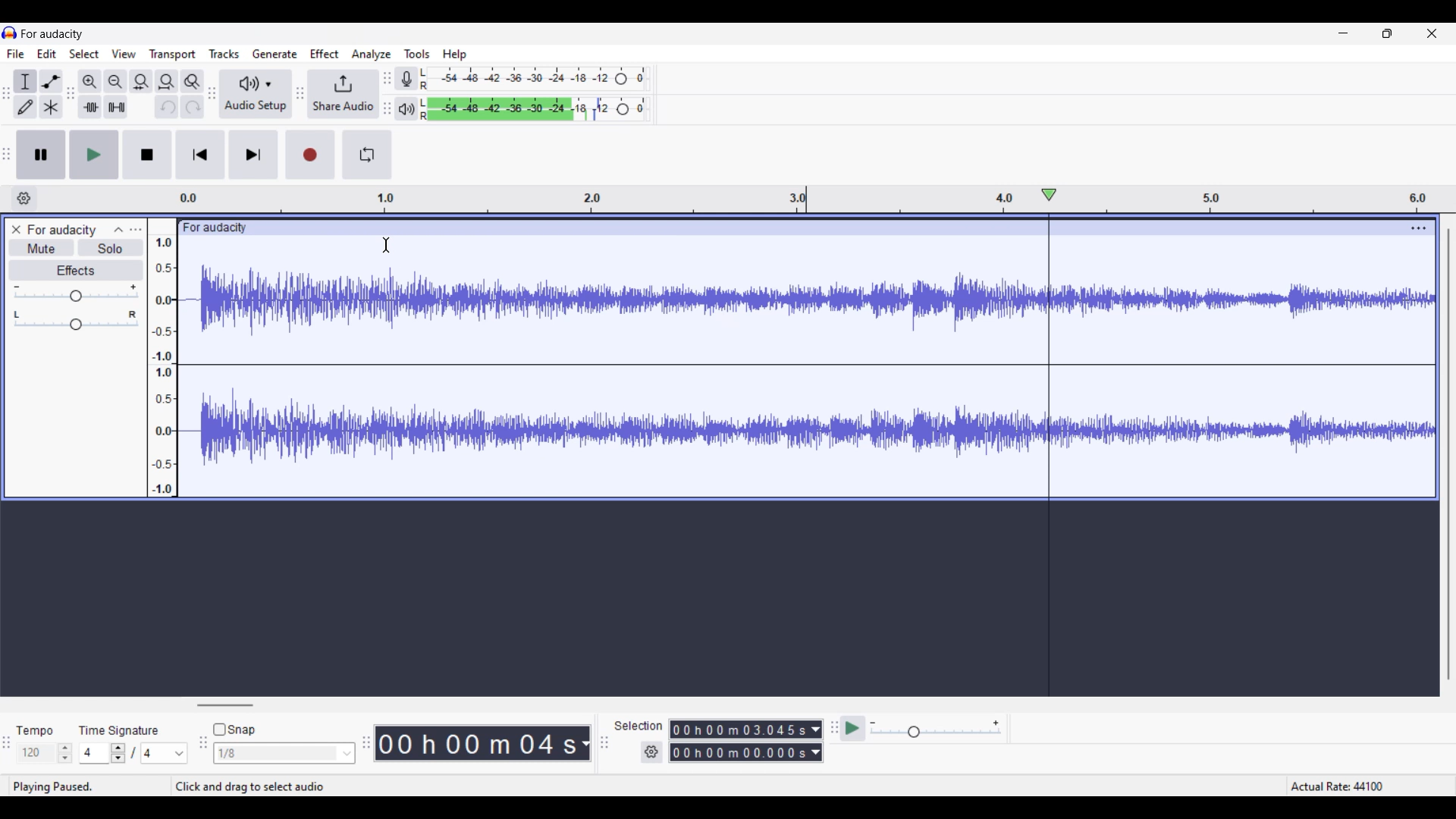  I want to click on Zoom toggle, so click(193, 82).